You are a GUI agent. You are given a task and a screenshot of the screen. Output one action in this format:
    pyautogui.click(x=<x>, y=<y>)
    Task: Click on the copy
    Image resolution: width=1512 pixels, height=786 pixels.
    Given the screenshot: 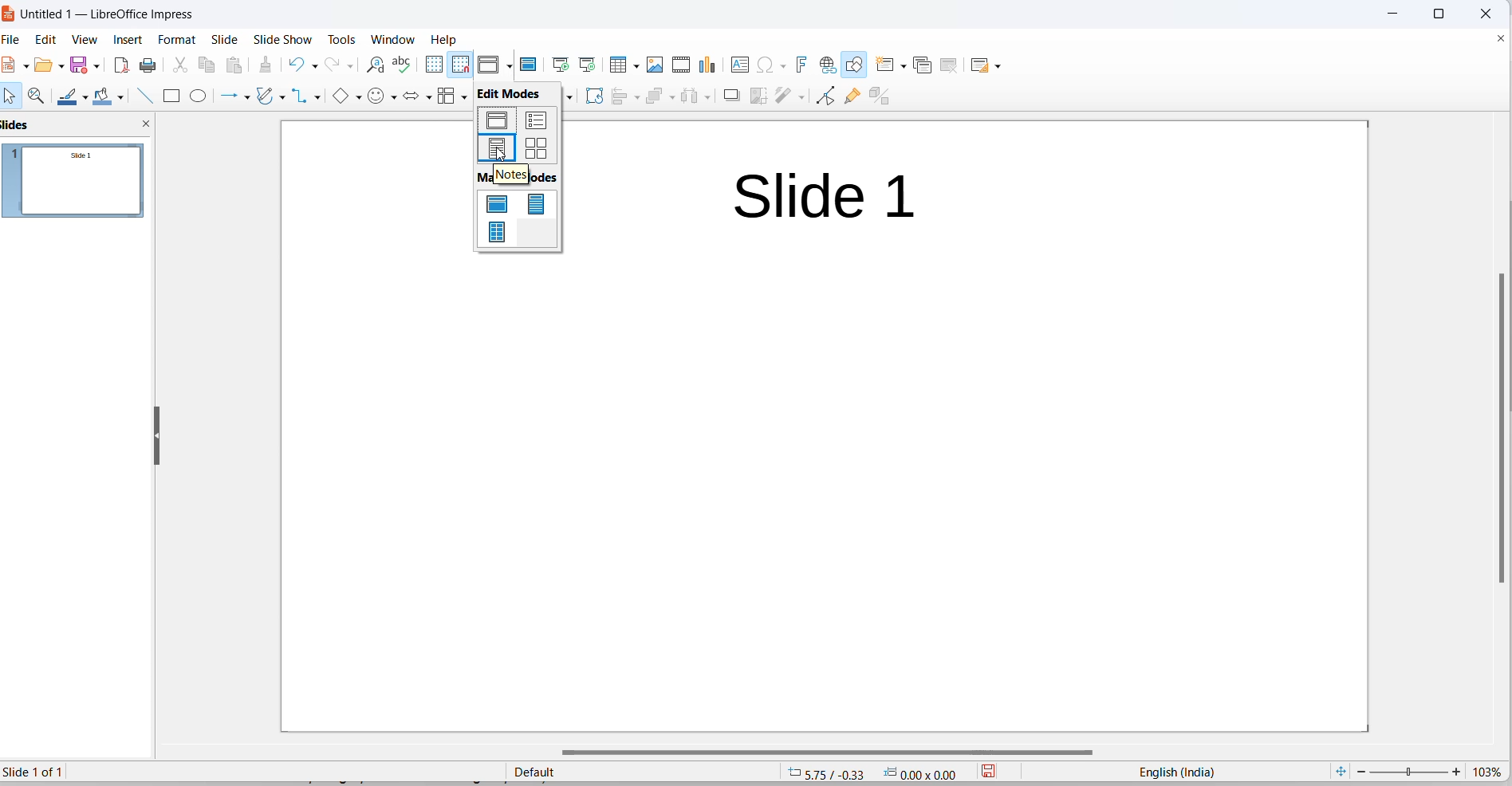 What is the action you would take?
    pyautogui.click(x=208, y=65)
    